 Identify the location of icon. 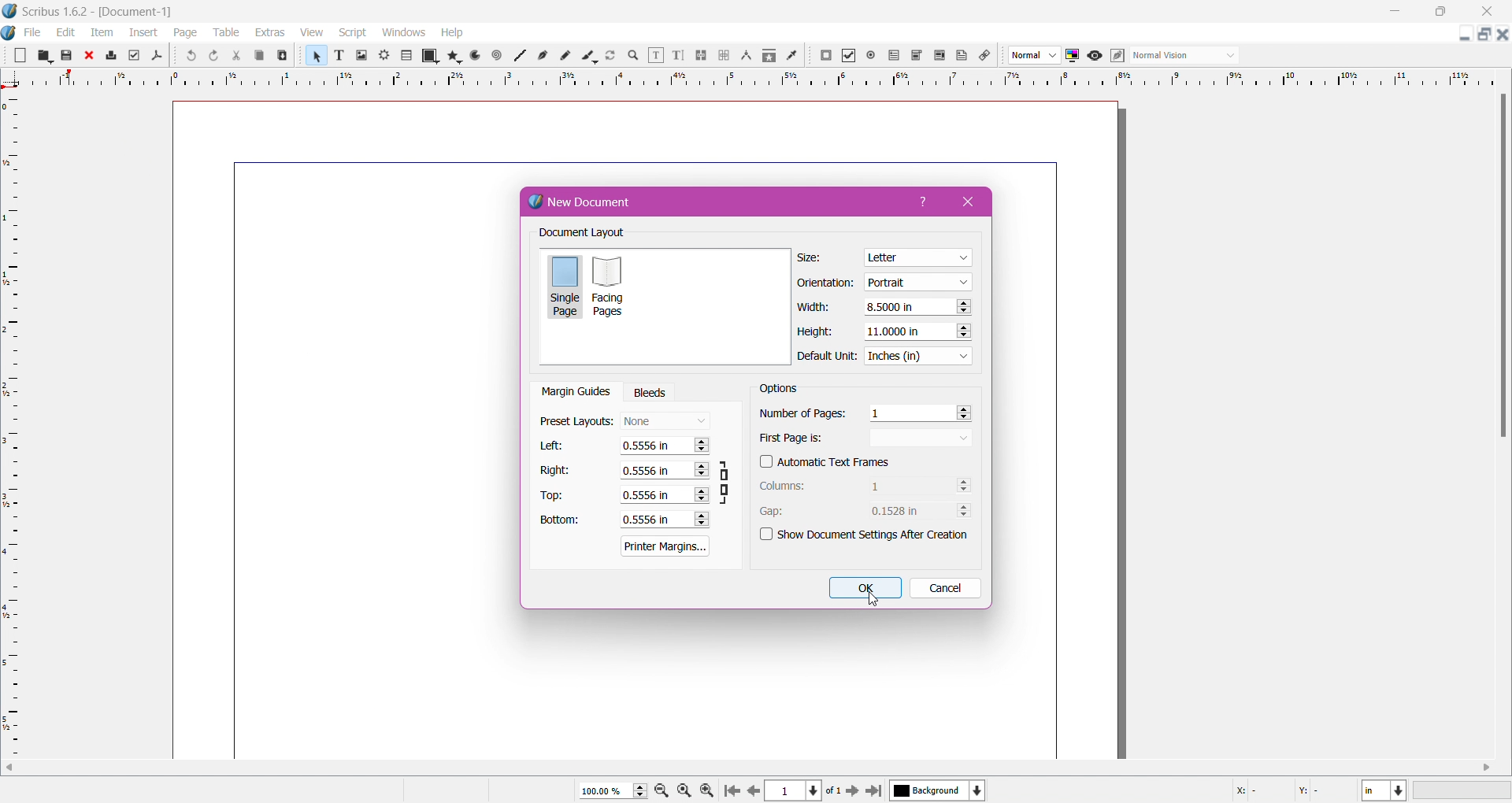
(673, 57).